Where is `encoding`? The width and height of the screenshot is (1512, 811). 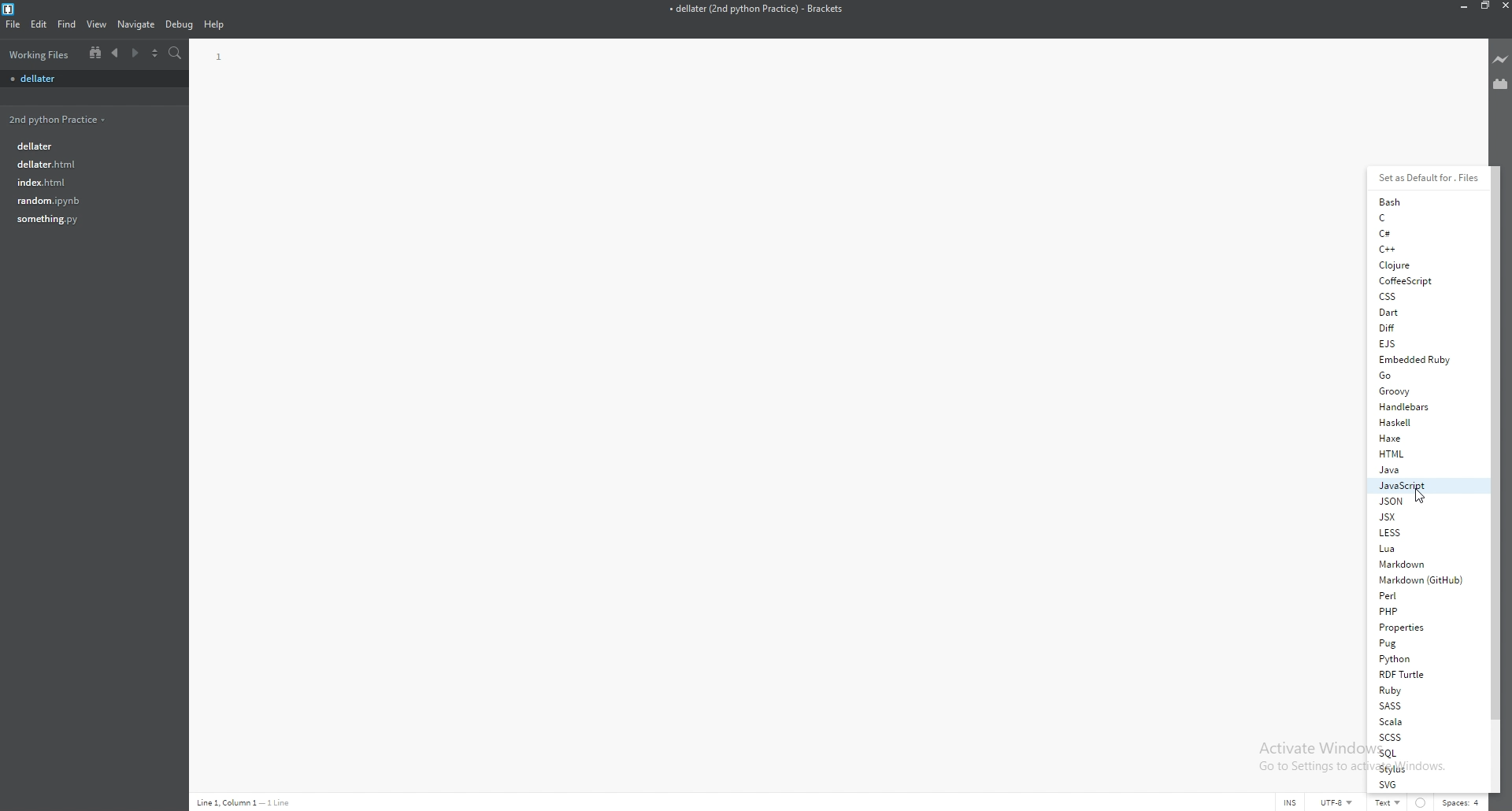 encoding is located at coordinates (1338, 802).